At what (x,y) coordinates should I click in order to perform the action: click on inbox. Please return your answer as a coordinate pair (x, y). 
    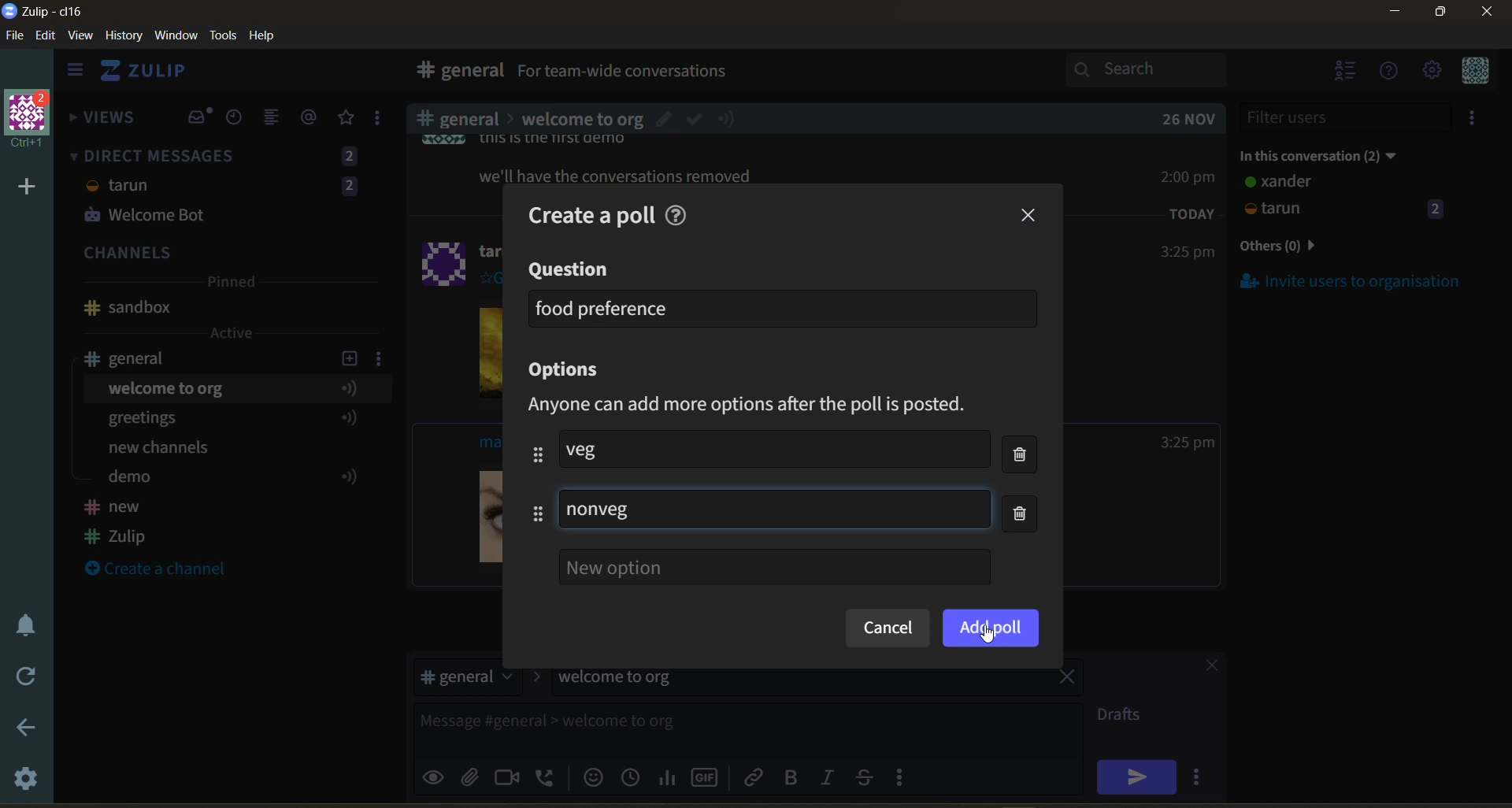
    Looking at the image, I should click on (456, 72).